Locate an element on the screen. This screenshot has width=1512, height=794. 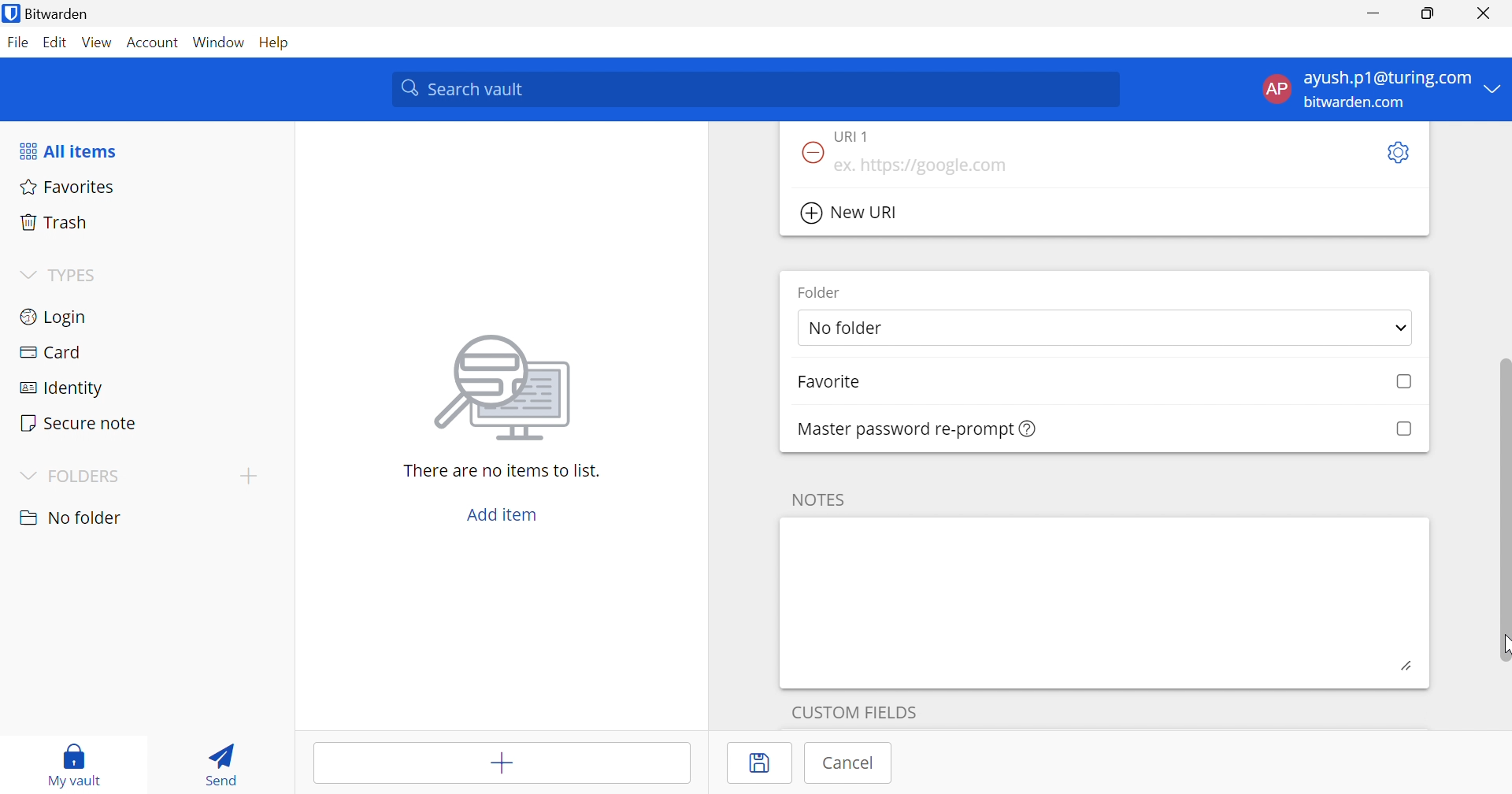
Cancel is located at coordinates (850, 762).